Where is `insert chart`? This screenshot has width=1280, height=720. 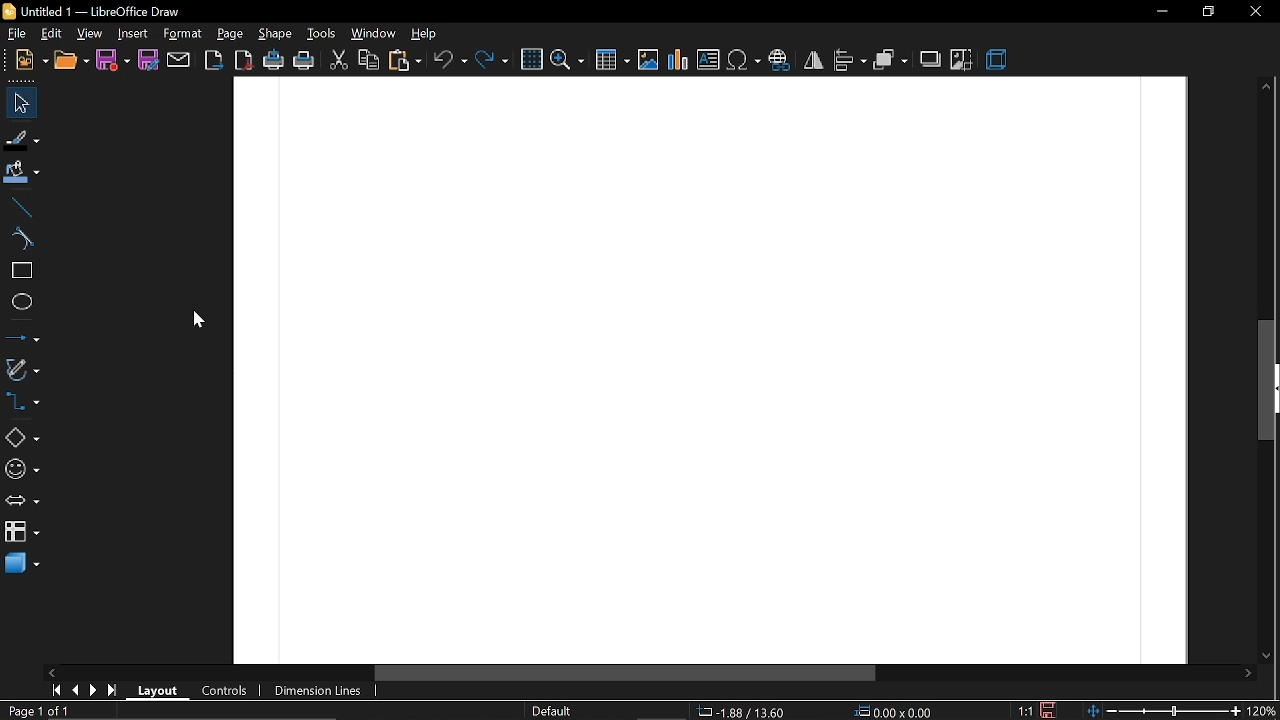
insert chart is located at coordinates (678, 60).